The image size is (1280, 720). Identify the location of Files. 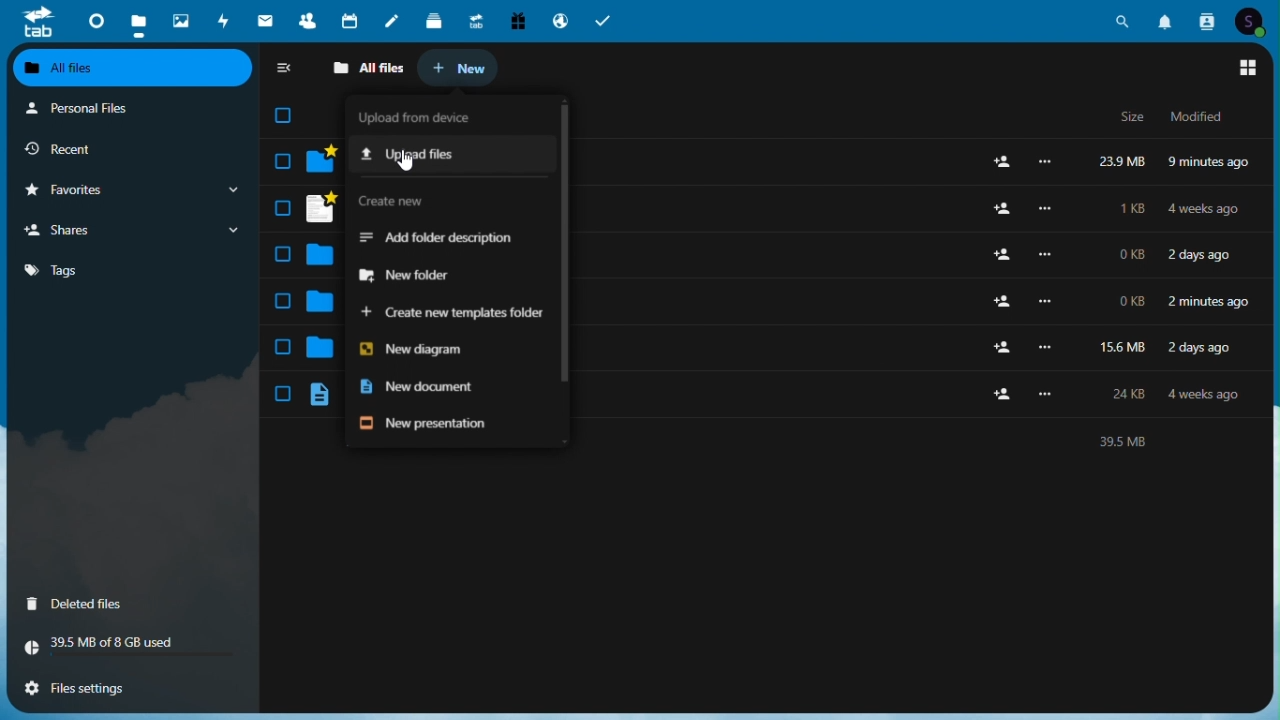
(1112, 391).